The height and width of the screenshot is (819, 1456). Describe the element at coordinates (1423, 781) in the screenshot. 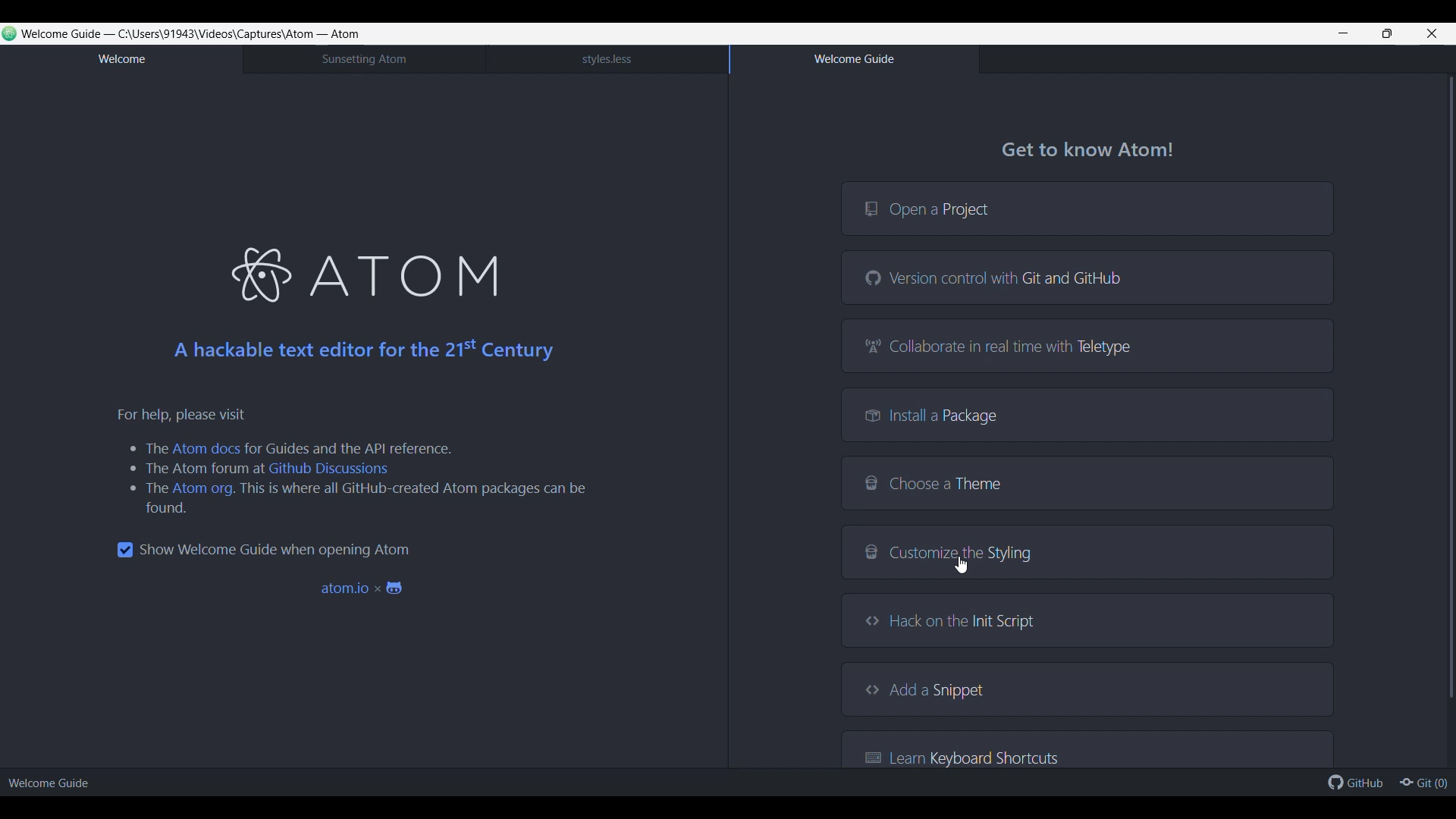

I see `Git` at that location.